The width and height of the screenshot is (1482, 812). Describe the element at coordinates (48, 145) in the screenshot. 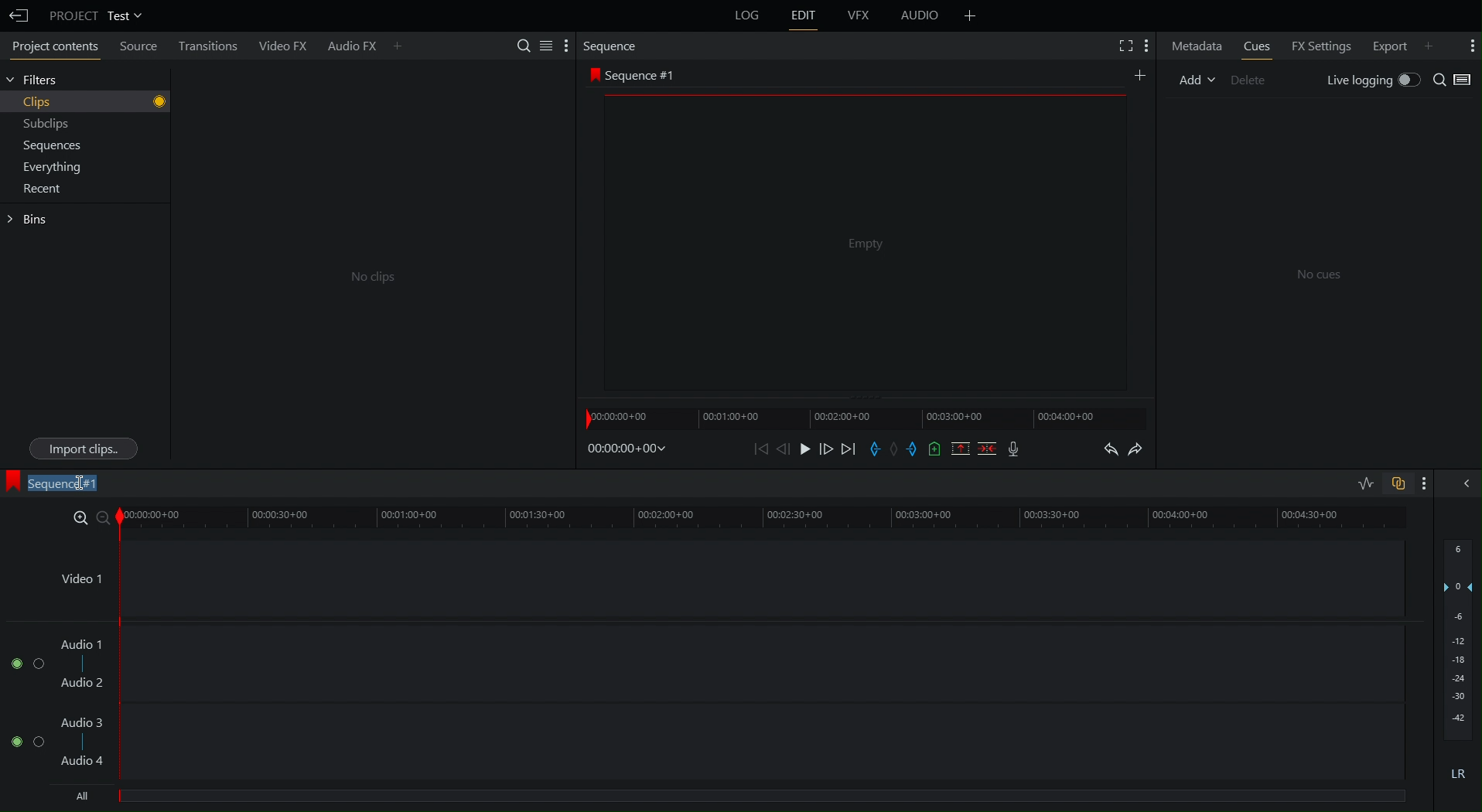

I see `Sequences` at that location.